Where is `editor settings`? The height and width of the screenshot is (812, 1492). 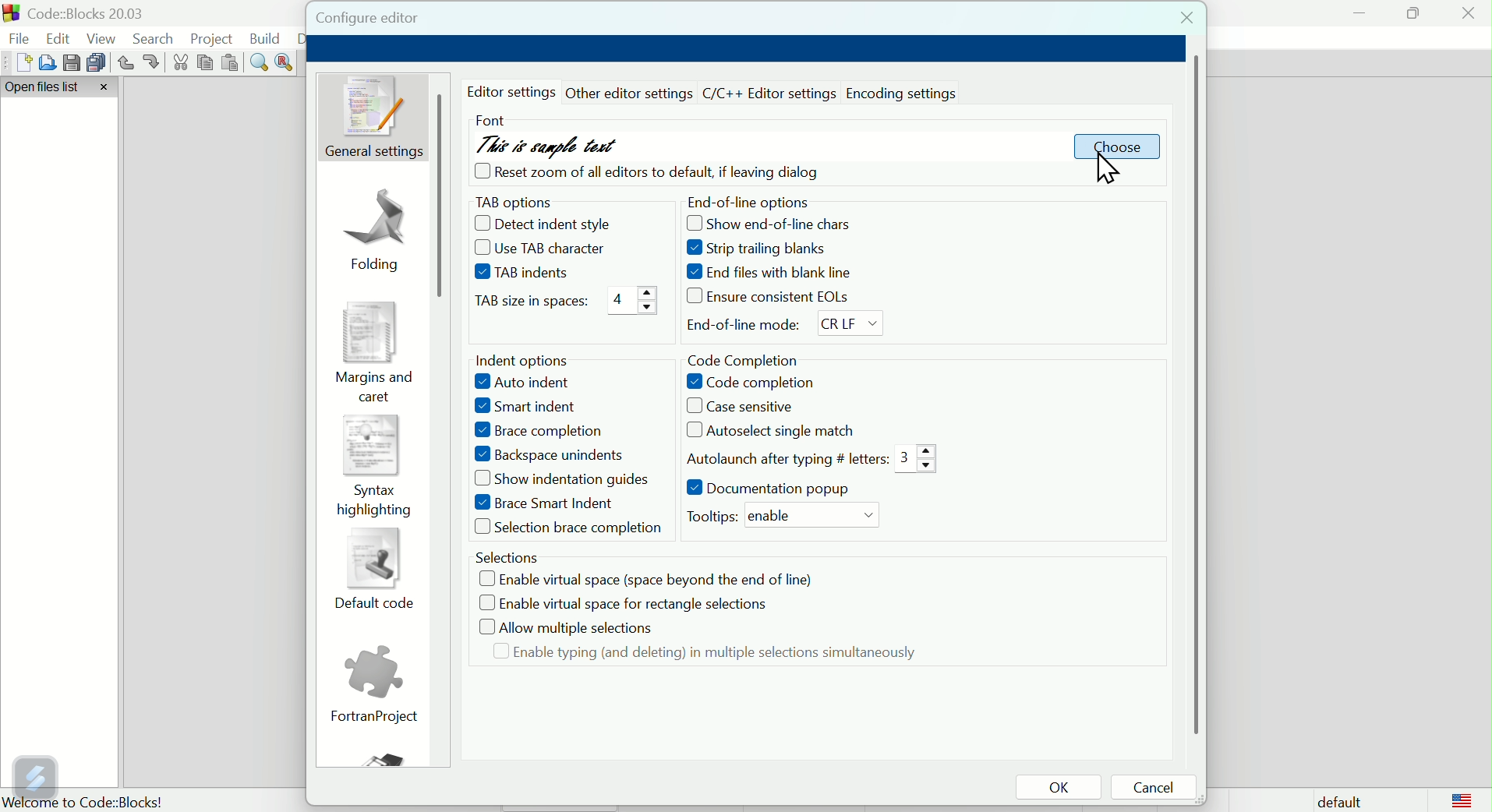 editor settings is located at coordinates (514, 92).